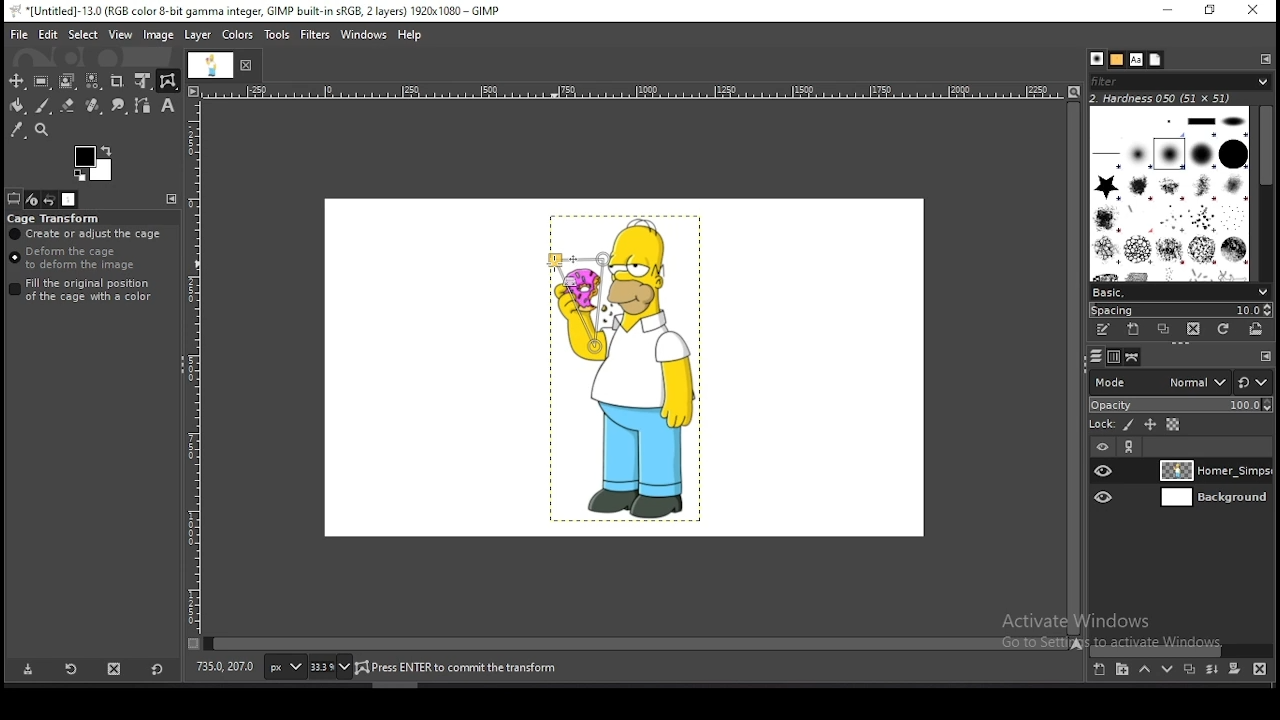 This screenshot has height=720, width=1280. What do you see at coordinates (119, 81) in the screenshot?
I see `crop tool` at bounding box center [119, 81].